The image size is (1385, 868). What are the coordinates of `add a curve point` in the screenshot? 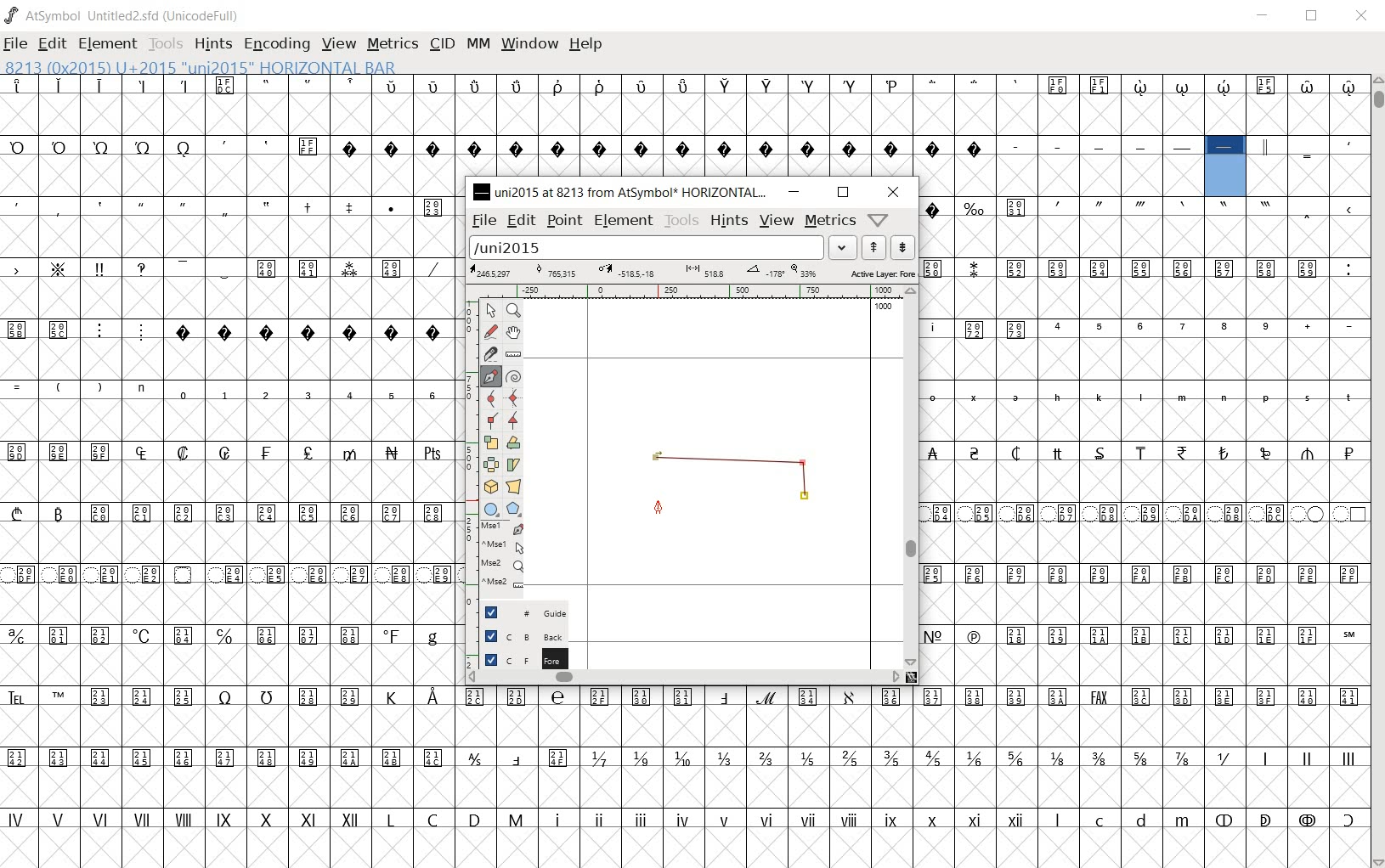 It's located at (490, 398).